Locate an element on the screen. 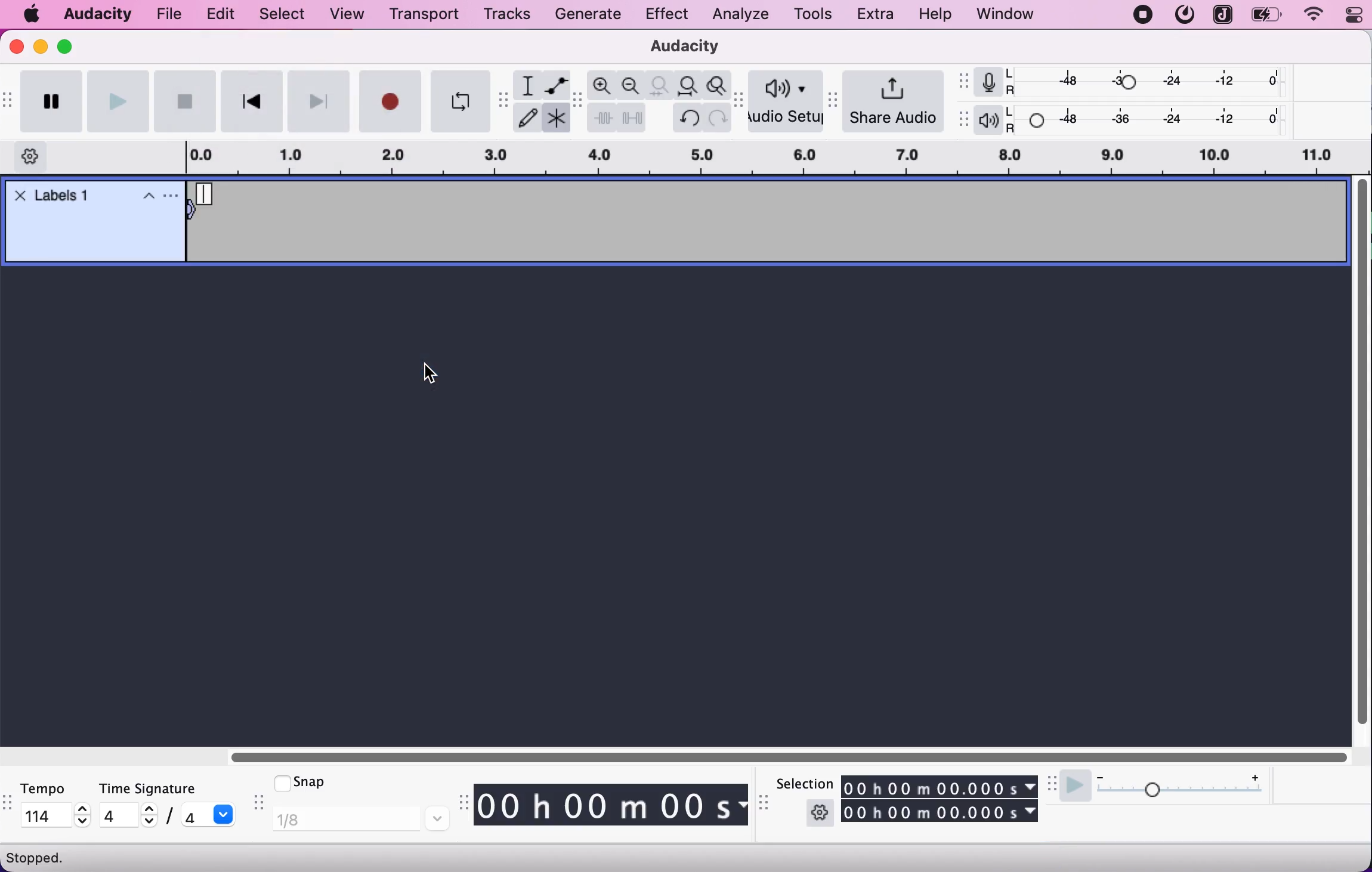 This screenshot has height=872, width=1372. fit project to width is located at coordinates (690, 85).